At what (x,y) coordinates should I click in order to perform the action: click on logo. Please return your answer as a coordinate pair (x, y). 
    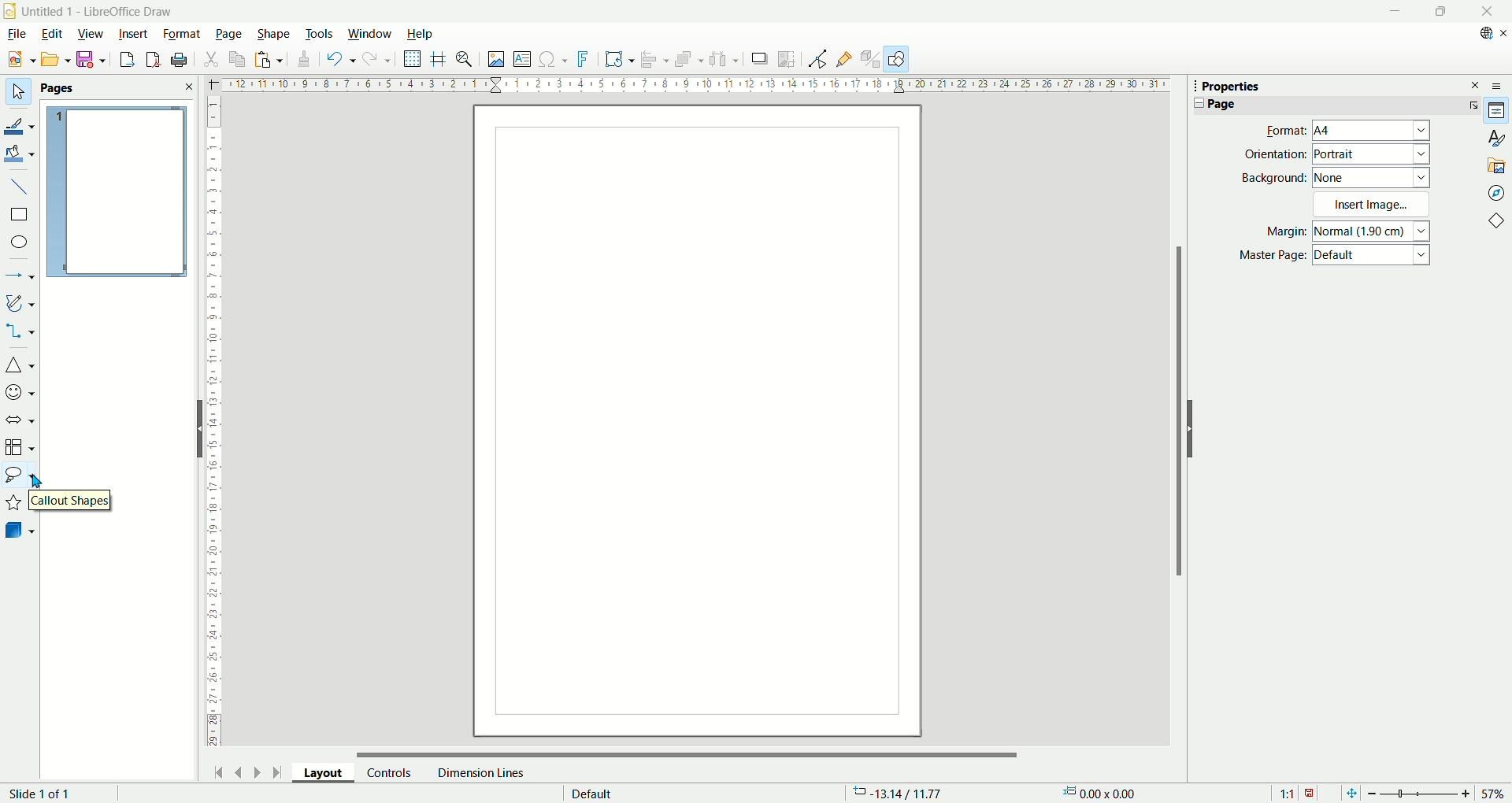
    Looking at the image, I should click on (10, 10).